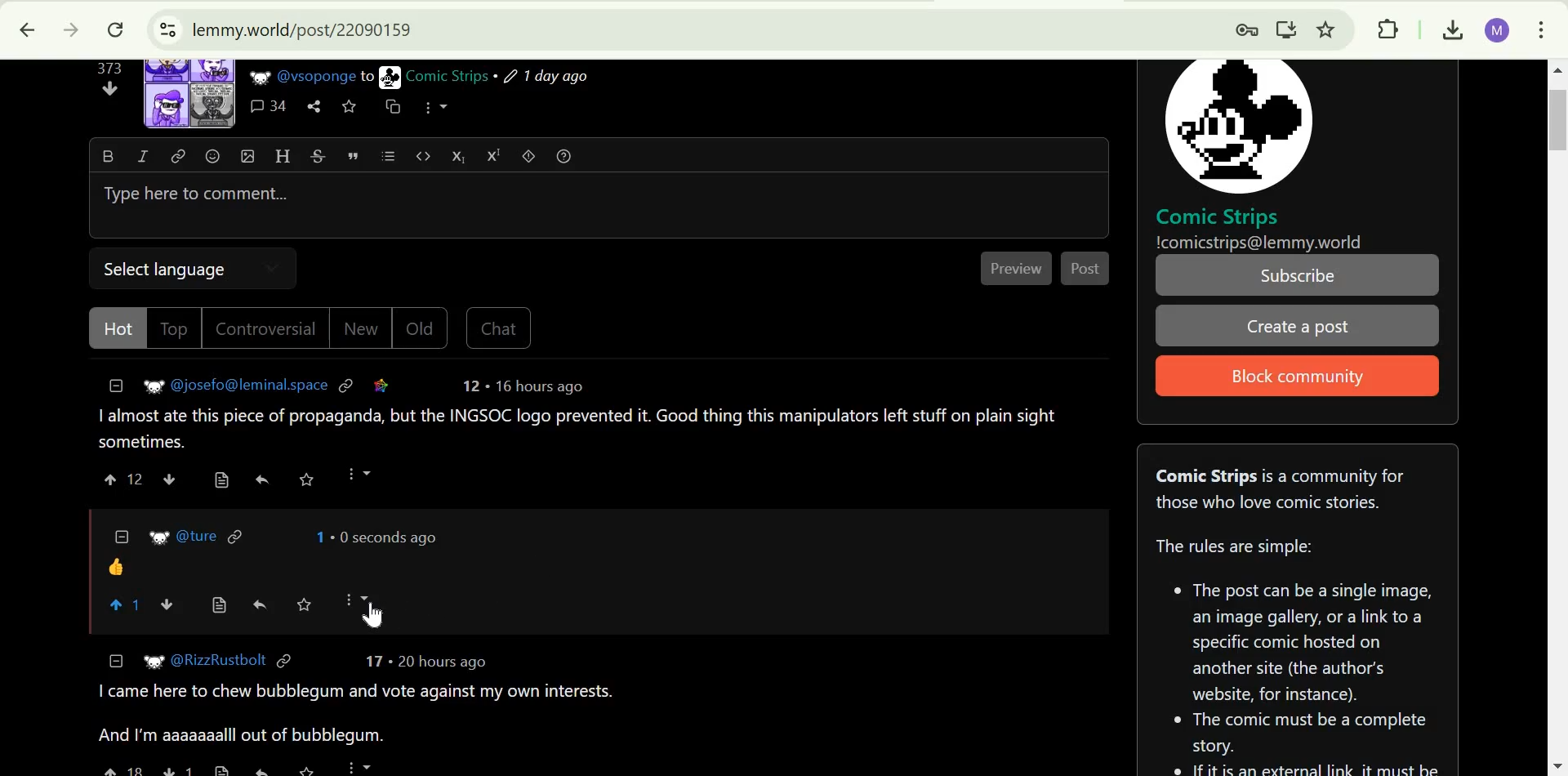  What do you see at coordinates (565, 155) in the screenshot?
I see `formatting help` at bounding box center [565, 155].